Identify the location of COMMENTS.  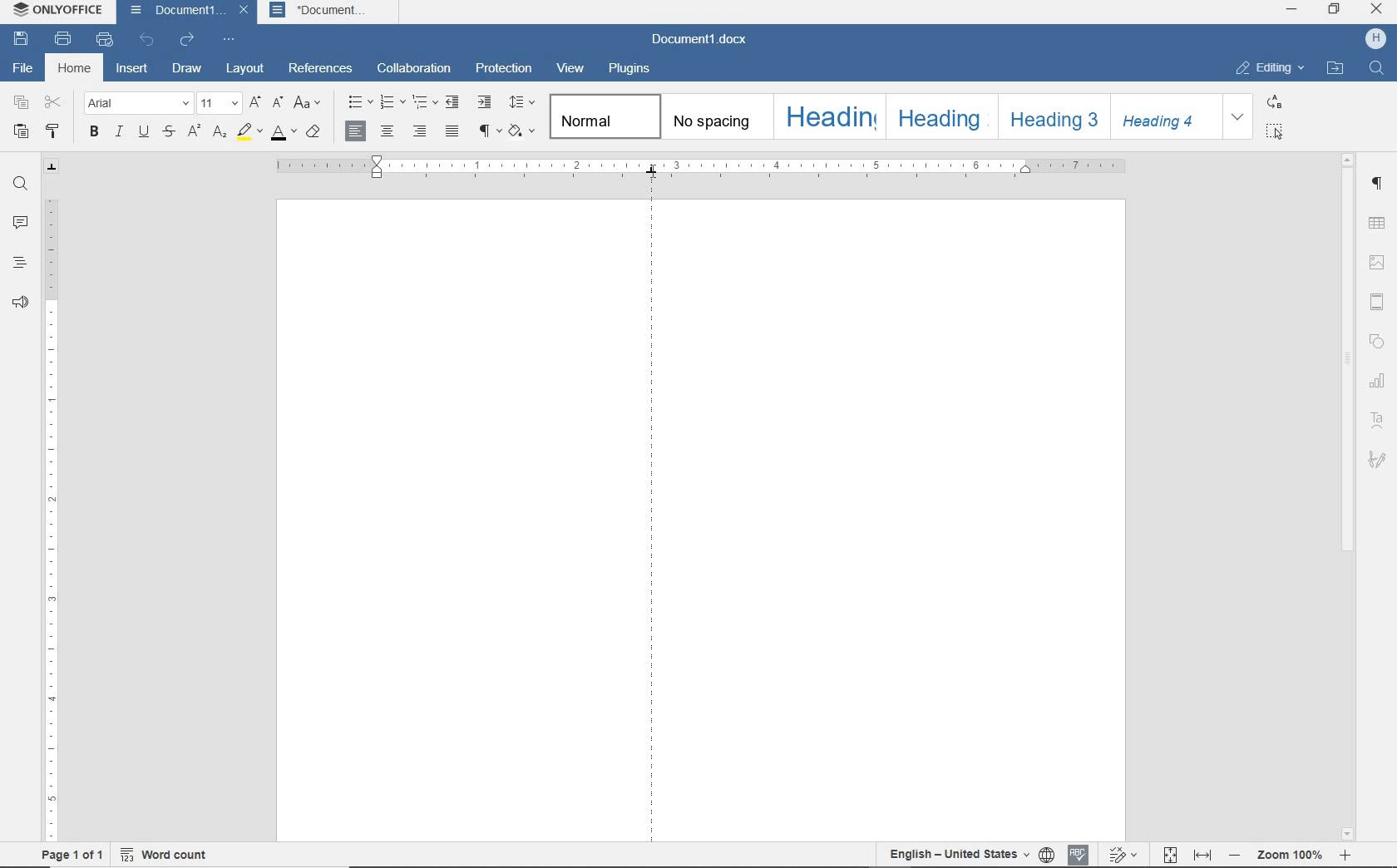
(16, 223).